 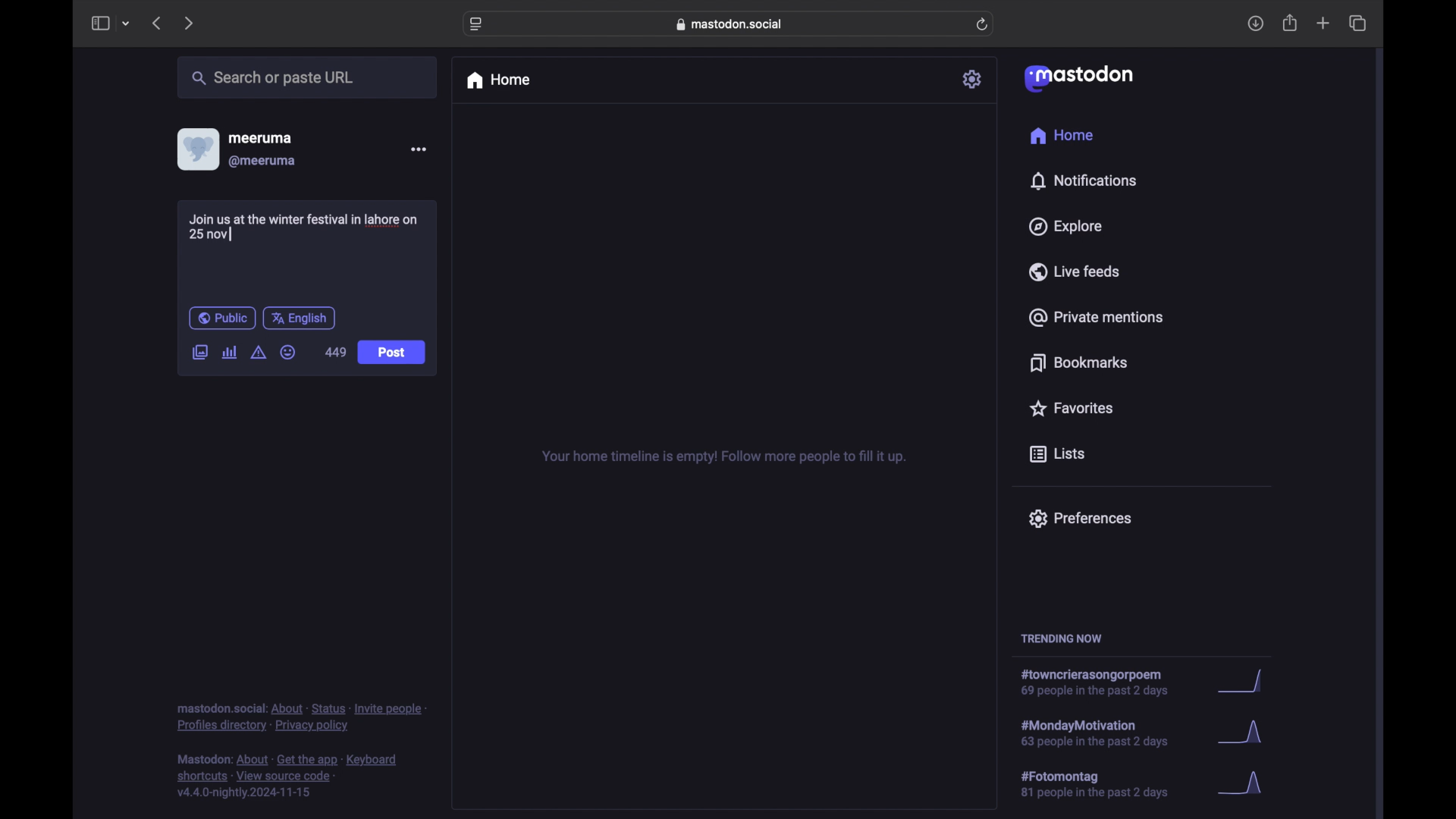 What do you see at coordinates (221, 318) in the screenshot?
I see `public` at bounding box center [221, 318].